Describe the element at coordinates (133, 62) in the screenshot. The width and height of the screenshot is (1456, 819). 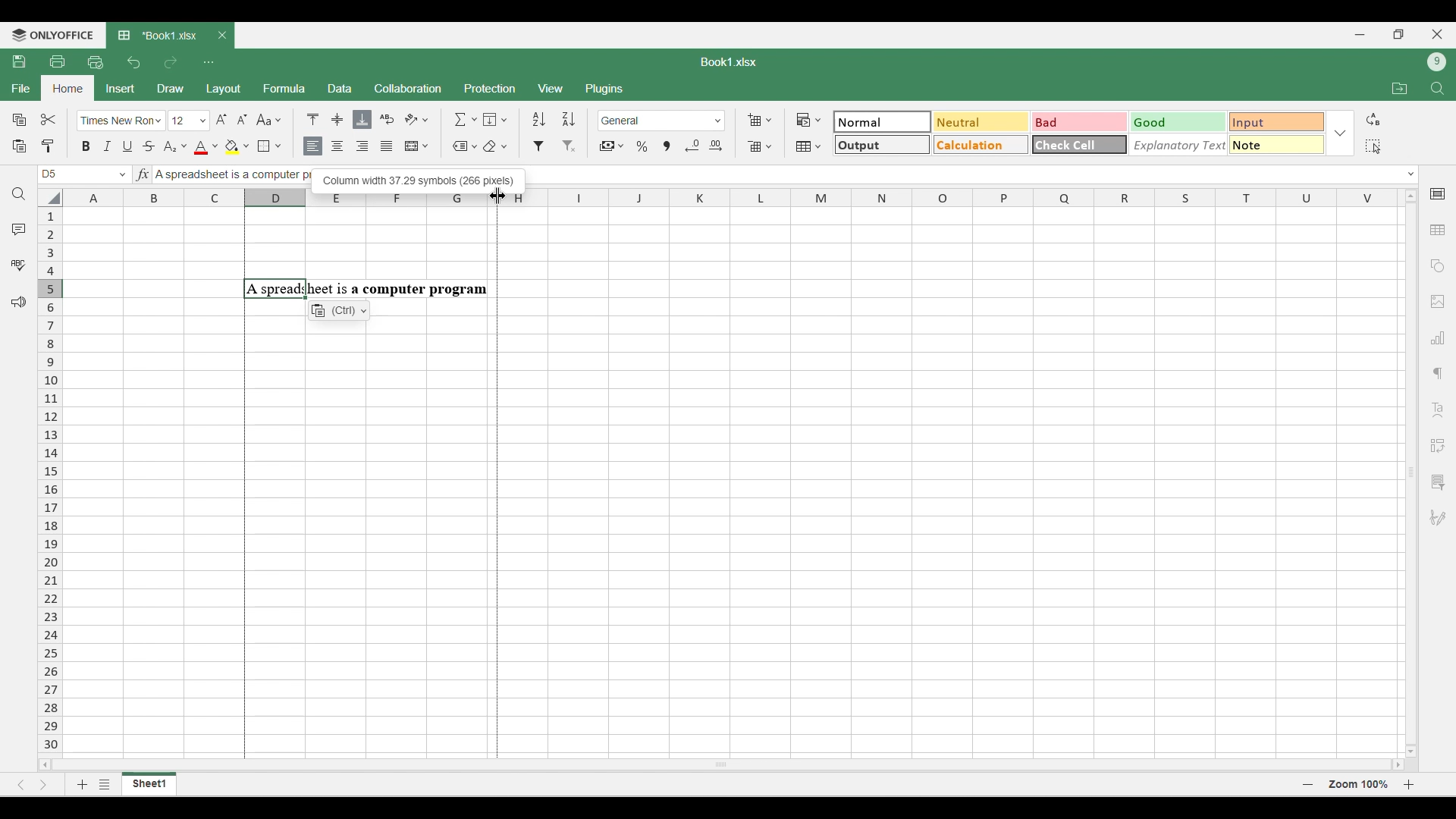
I see `Undo` at that location.